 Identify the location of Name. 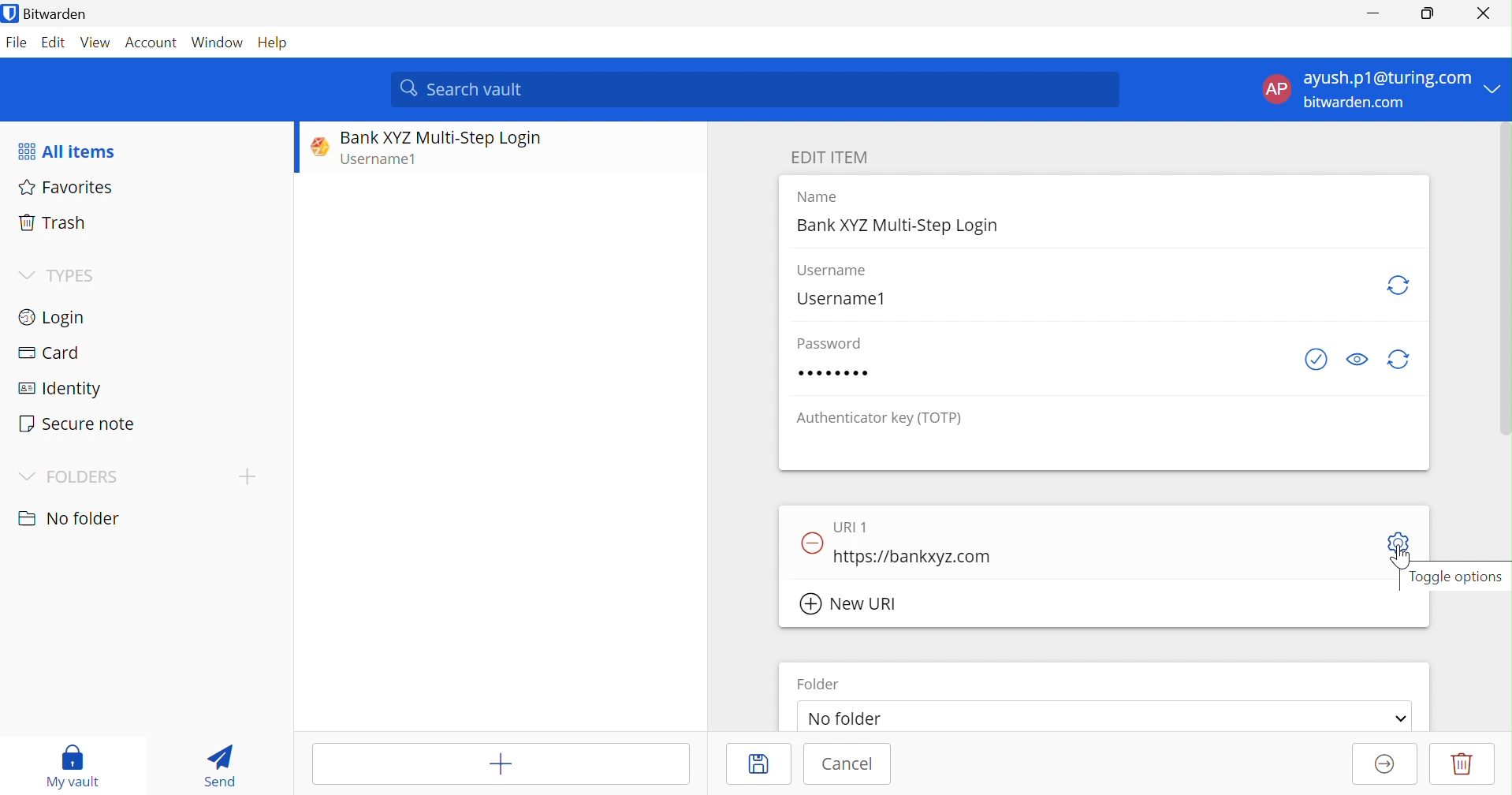
(821, 197).